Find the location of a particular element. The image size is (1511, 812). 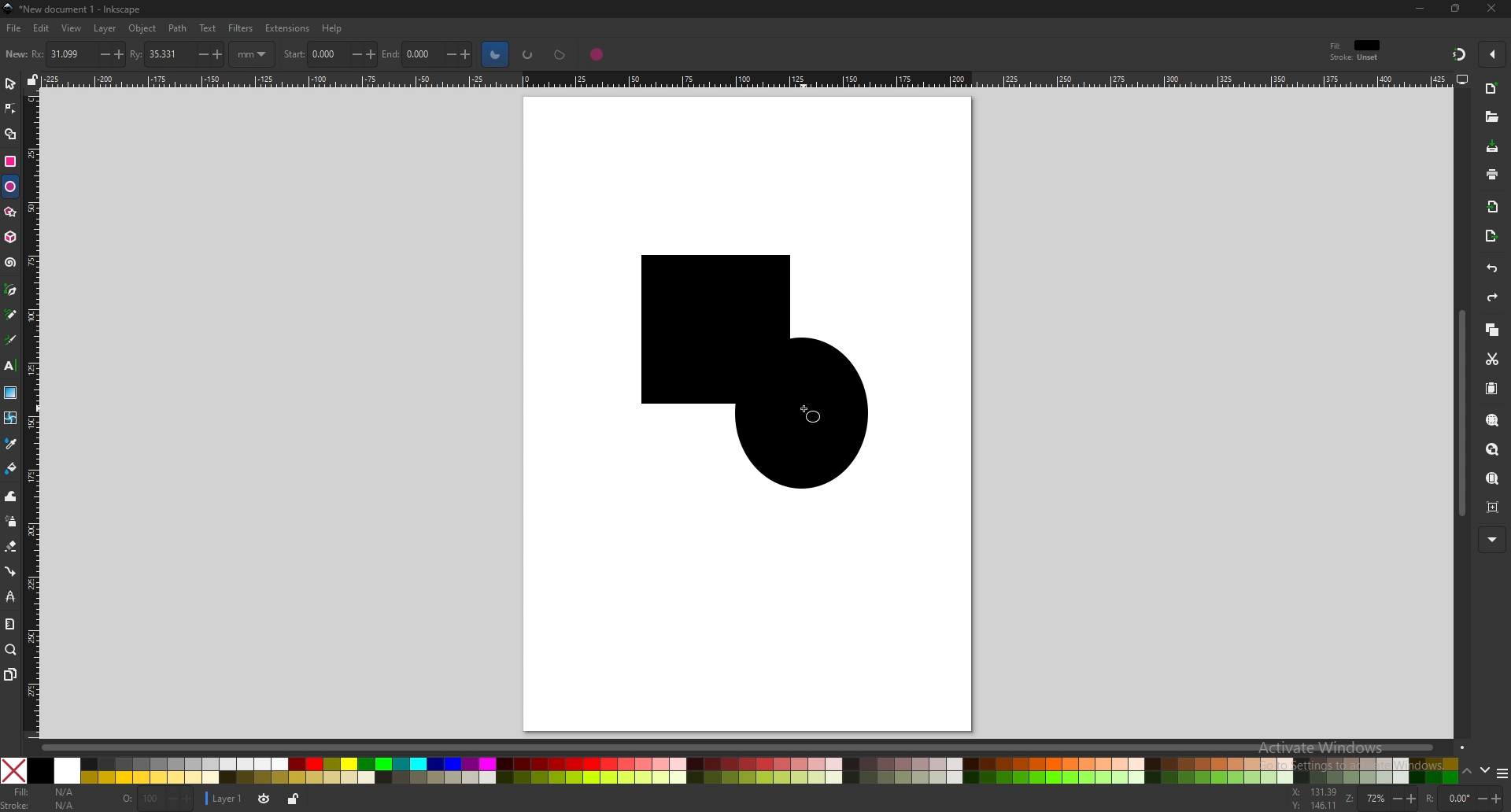

pencil is located at coordinates (12, 314).